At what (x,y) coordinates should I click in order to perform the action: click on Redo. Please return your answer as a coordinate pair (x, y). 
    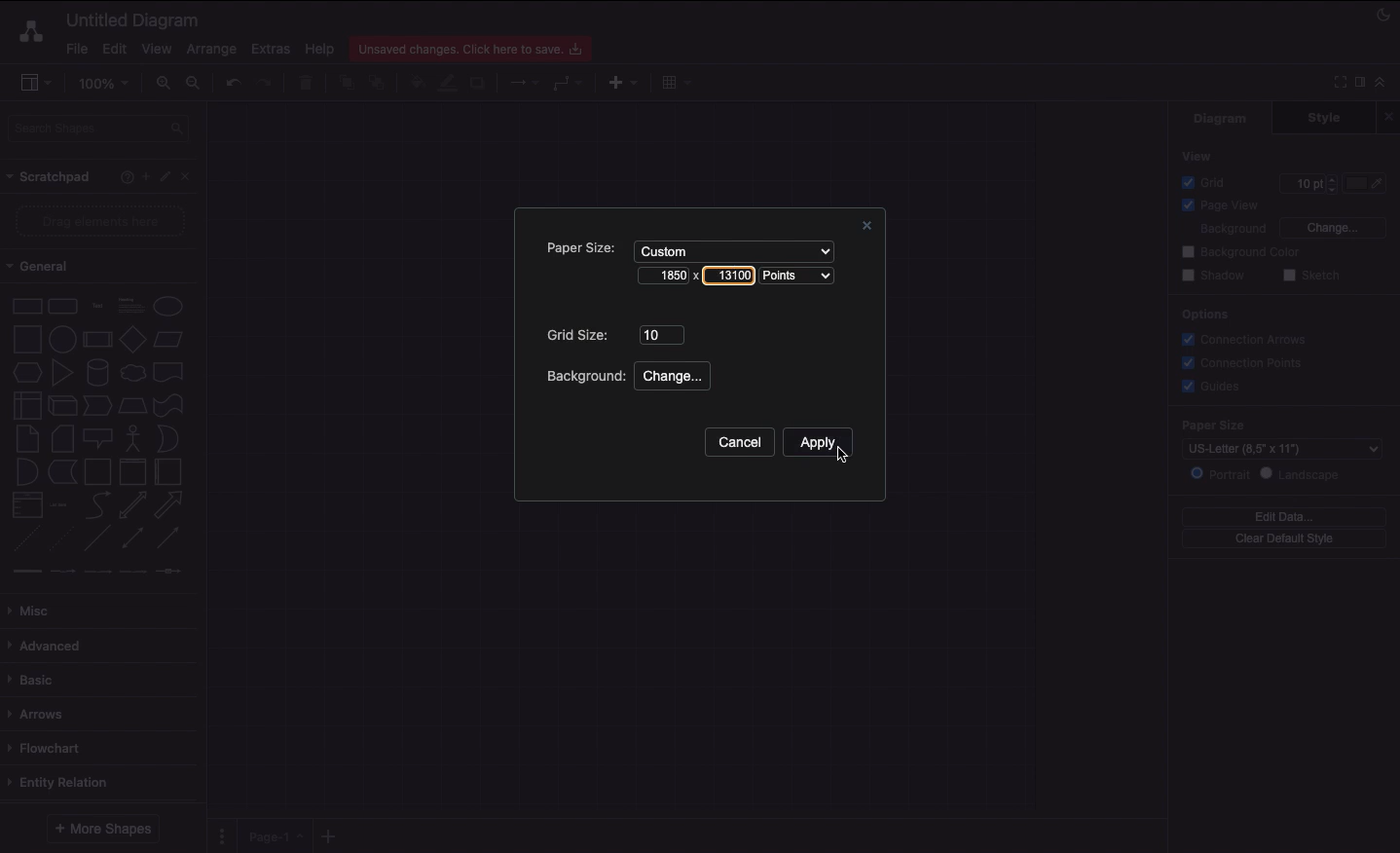
    Looking at the image, I should click on (264, 84).